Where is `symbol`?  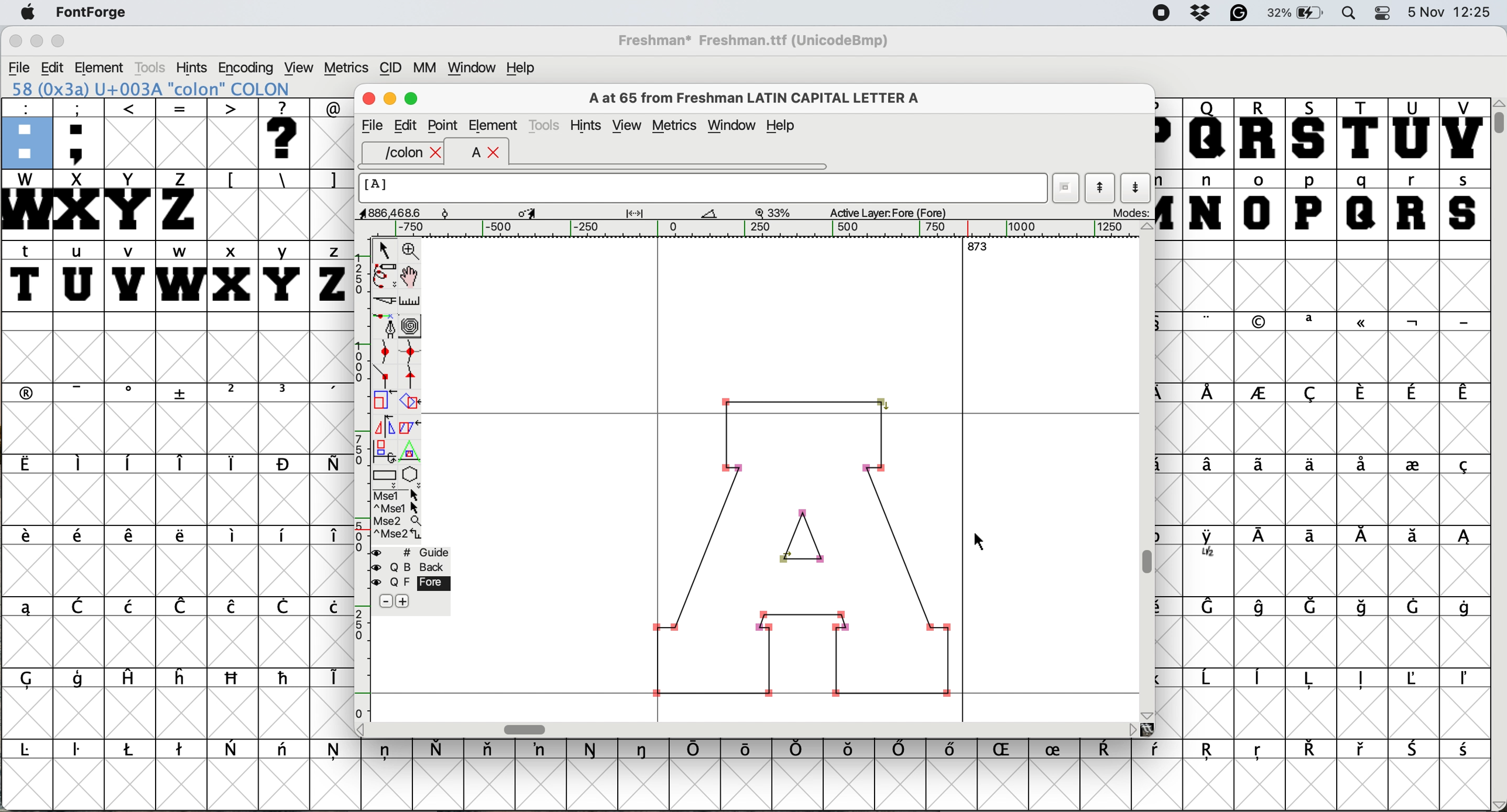 symbol is located at coordinates (234, 679).